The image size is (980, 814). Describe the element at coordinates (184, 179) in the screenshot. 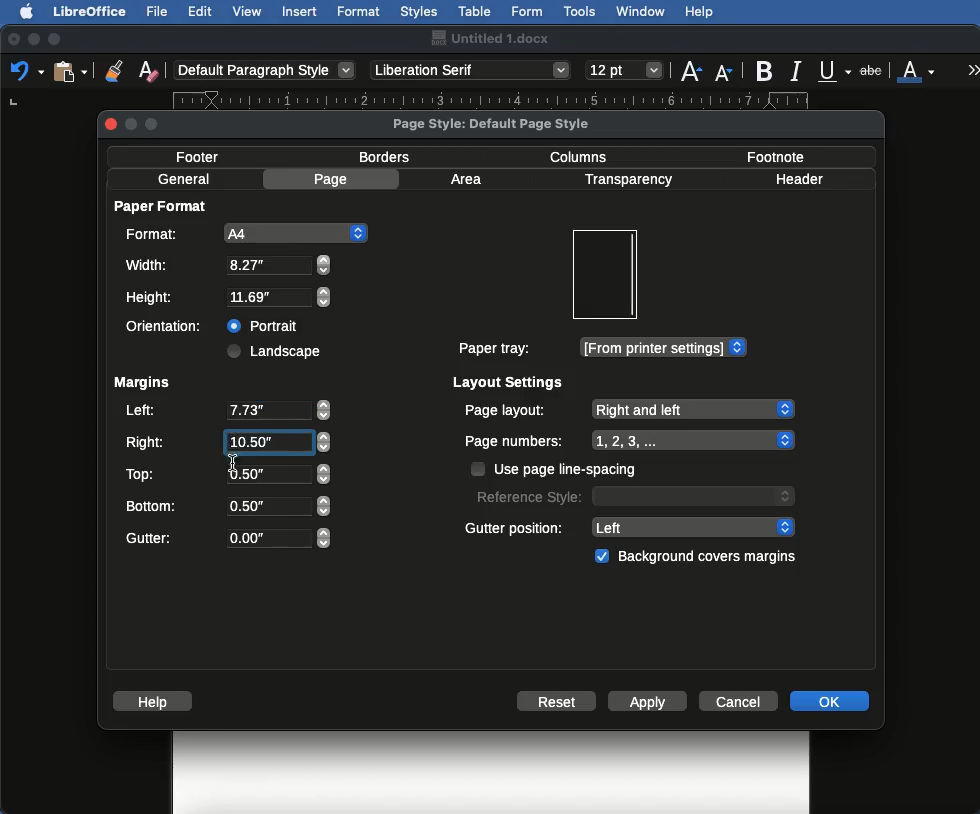

I see `General` at that location.